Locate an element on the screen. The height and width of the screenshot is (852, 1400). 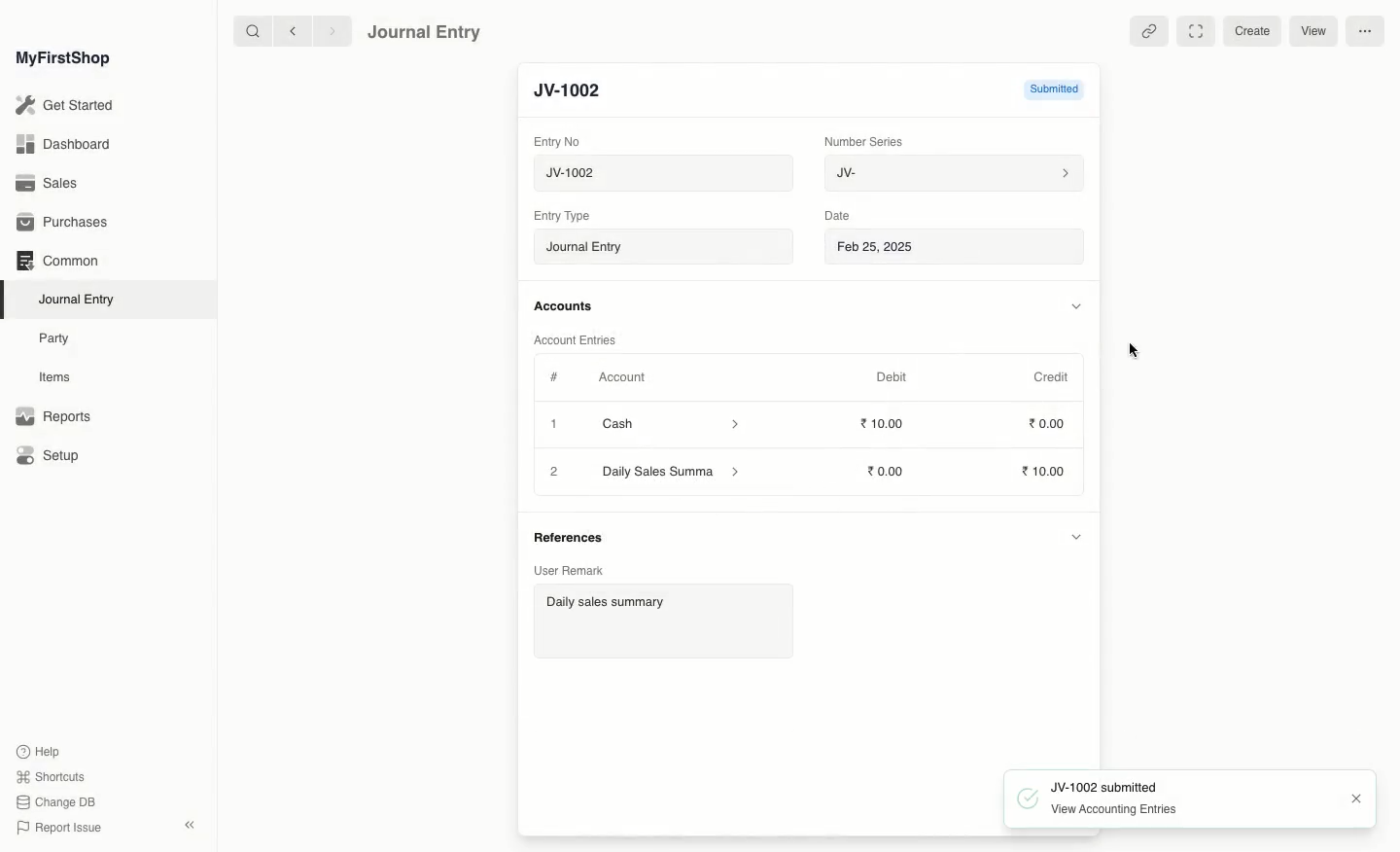
Journal Entry is located at coordinates (425, 31).